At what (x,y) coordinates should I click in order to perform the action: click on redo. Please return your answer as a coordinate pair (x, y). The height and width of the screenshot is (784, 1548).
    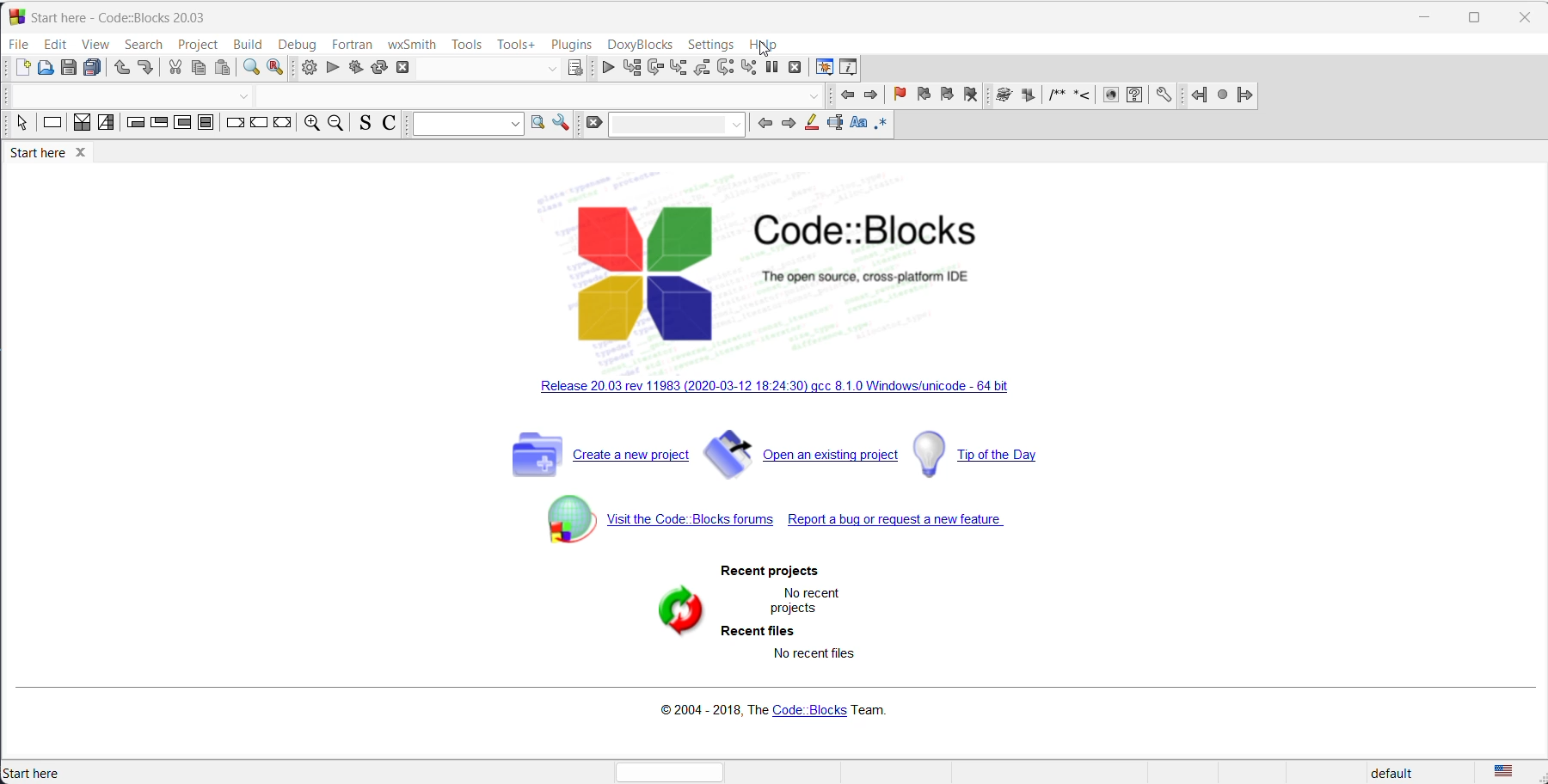
    Looking at the image, I should click on (145, 68).